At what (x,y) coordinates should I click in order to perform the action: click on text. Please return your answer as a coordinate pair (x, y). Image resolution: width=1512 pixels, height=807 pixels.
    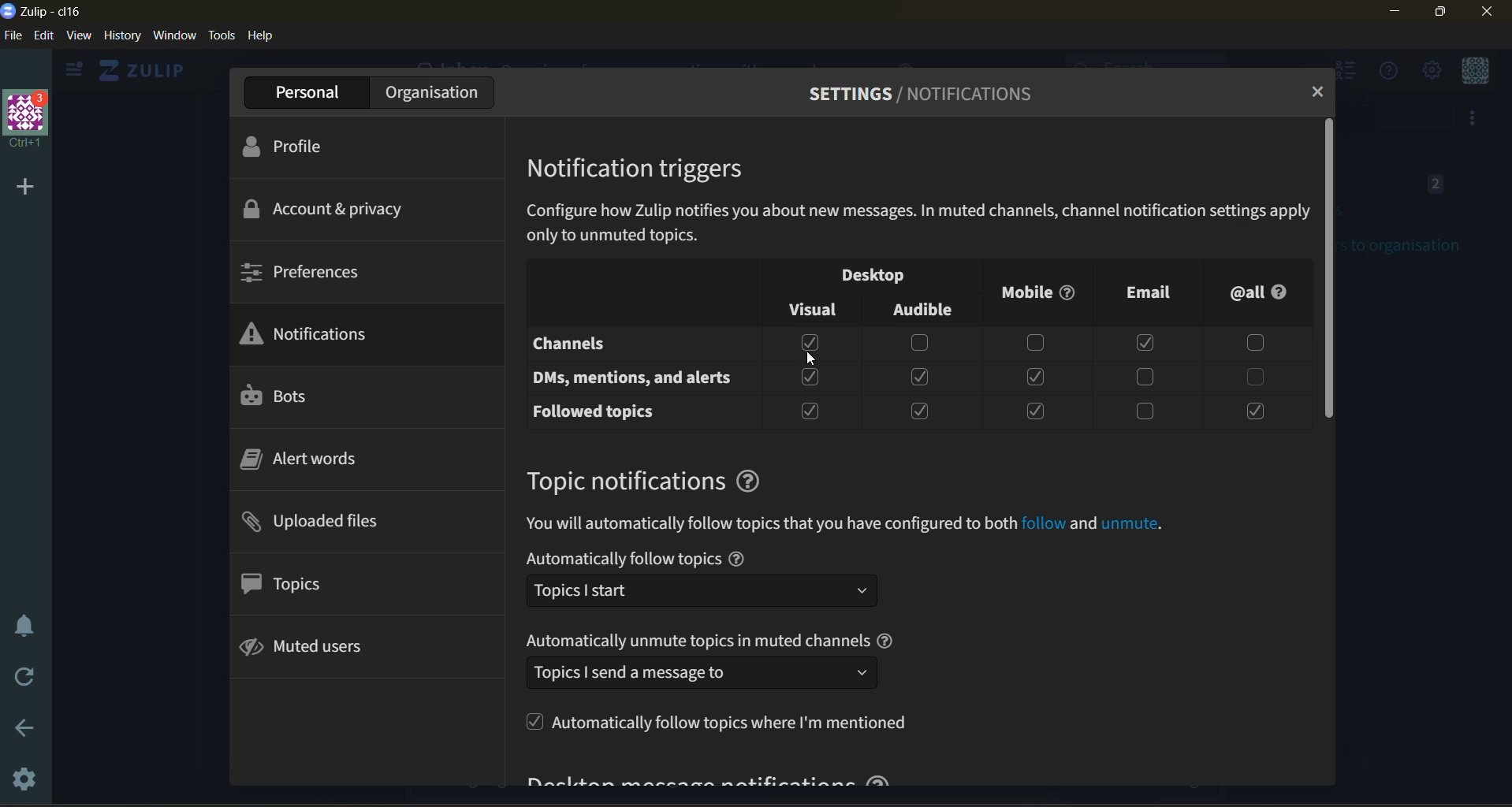
    Looking at the image, I should click on (697, 640).